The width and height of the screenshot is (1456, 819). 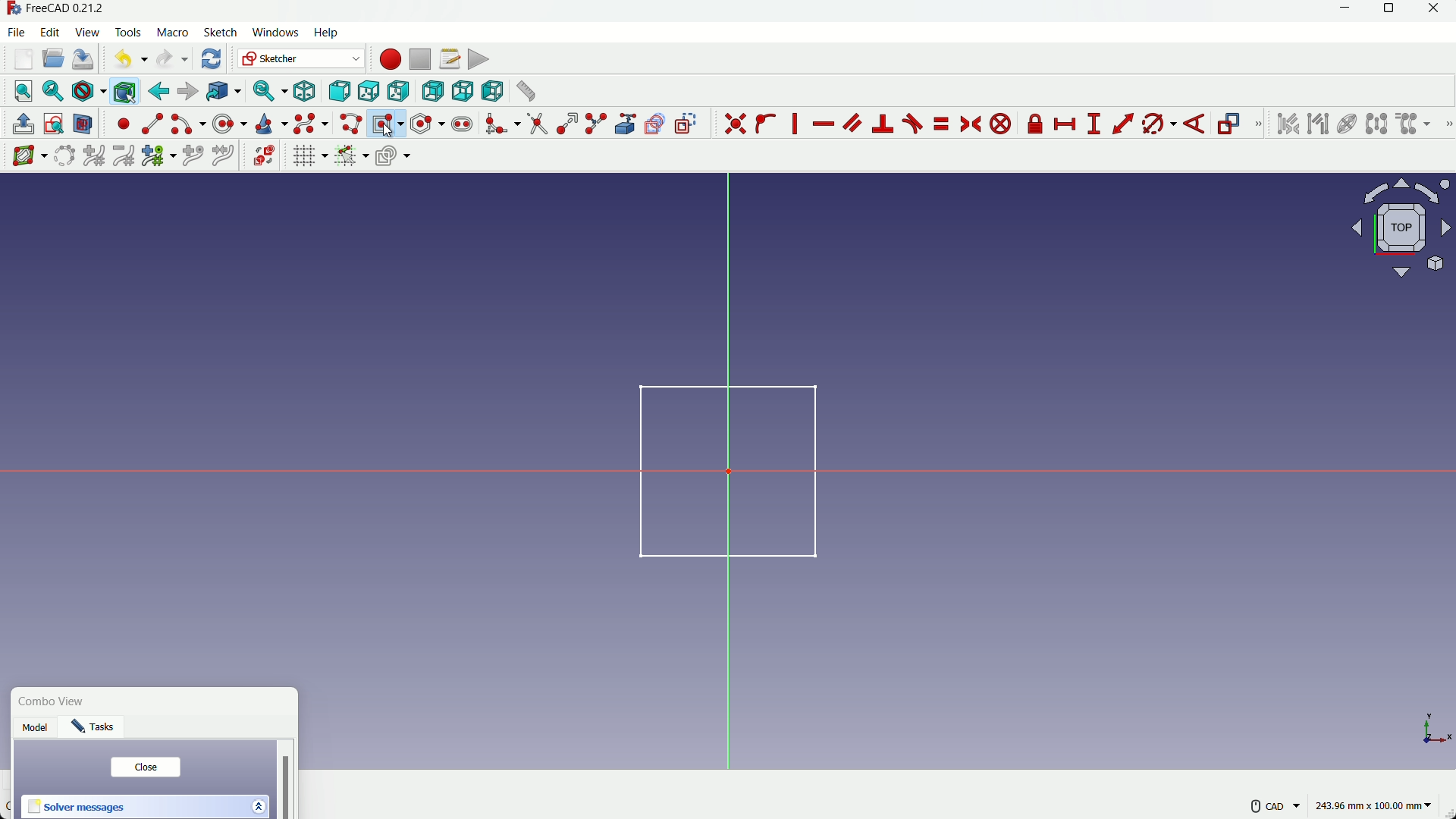 I want to click on back, so click(x=158, y=91).